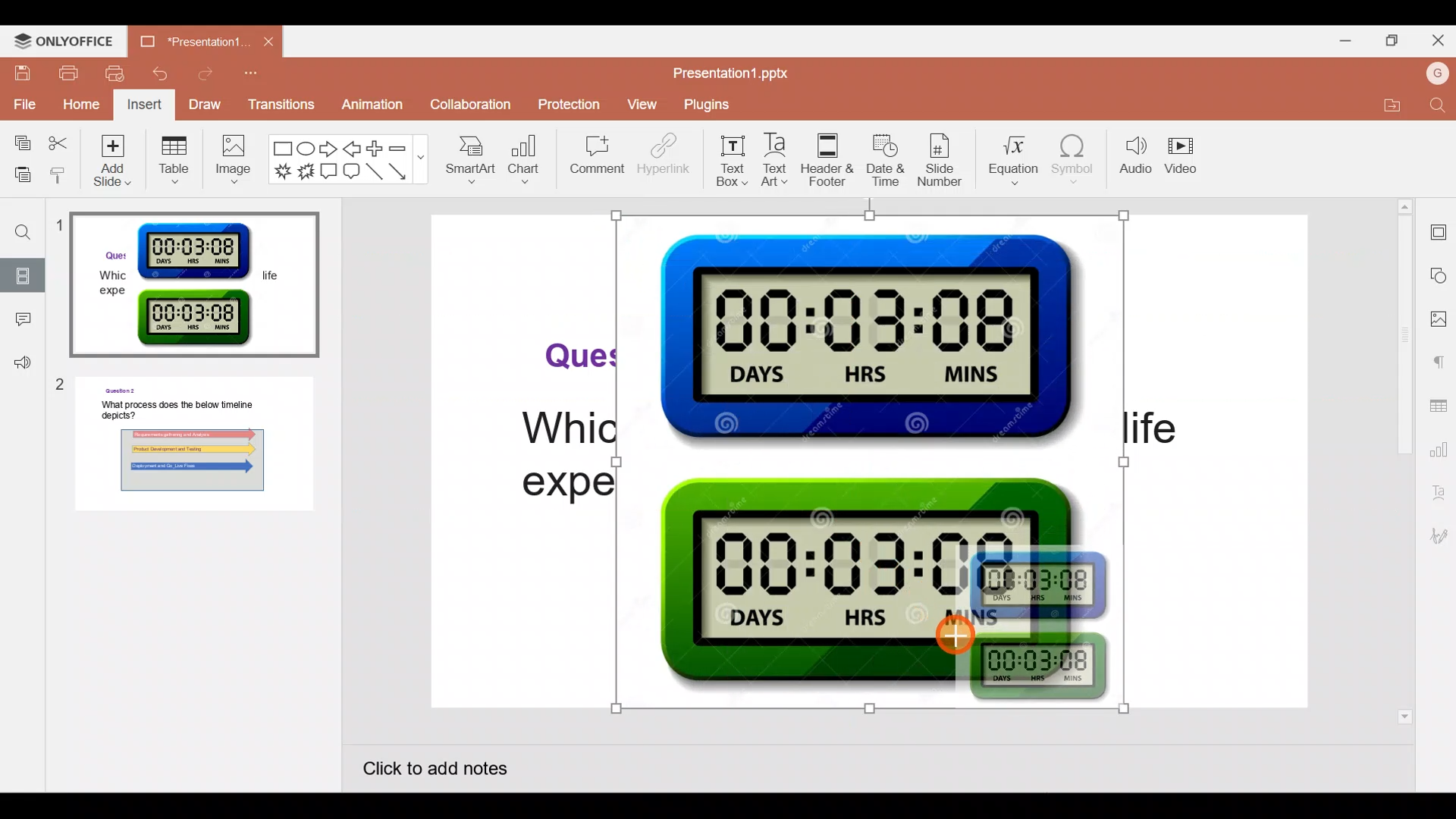 This screenshot has width=1456, height=819. What do you see at coordinates (1439, 230) in the screenshot?
I see `Slide settings` at bounding box center [1439, 230].